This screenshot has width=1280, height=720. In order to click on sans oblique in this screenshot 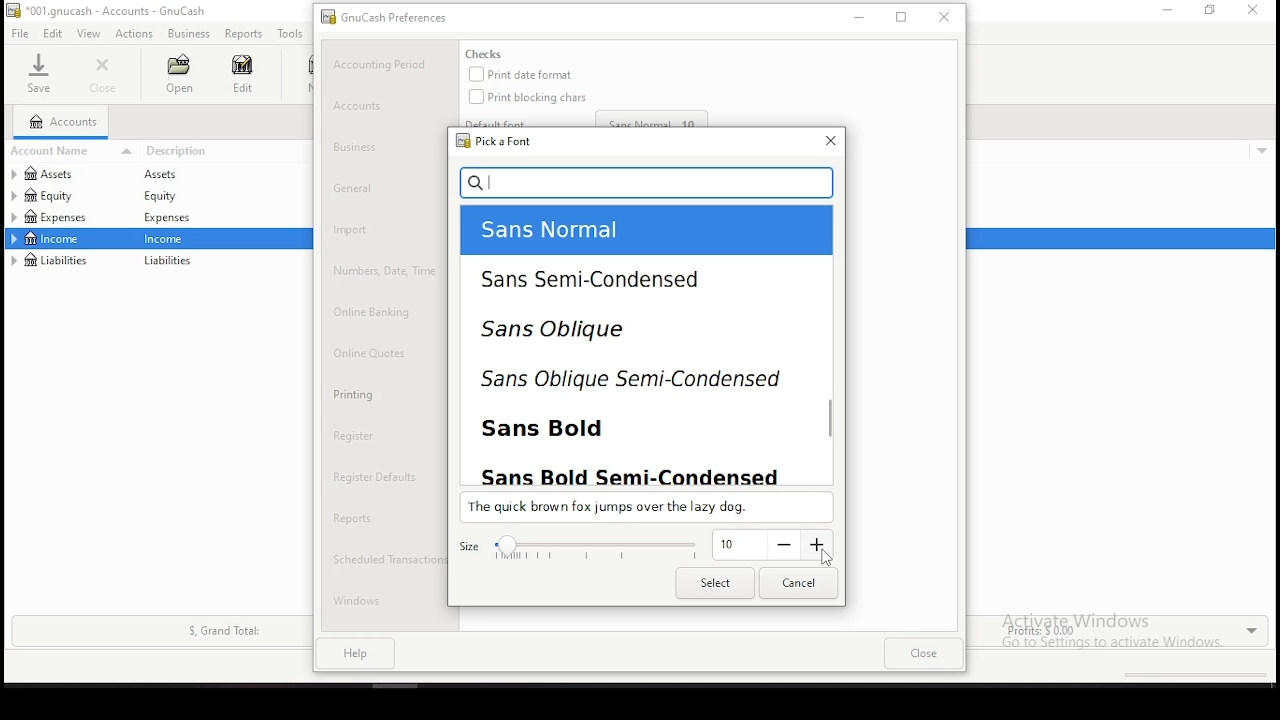, I will do `click(590, 335)`.